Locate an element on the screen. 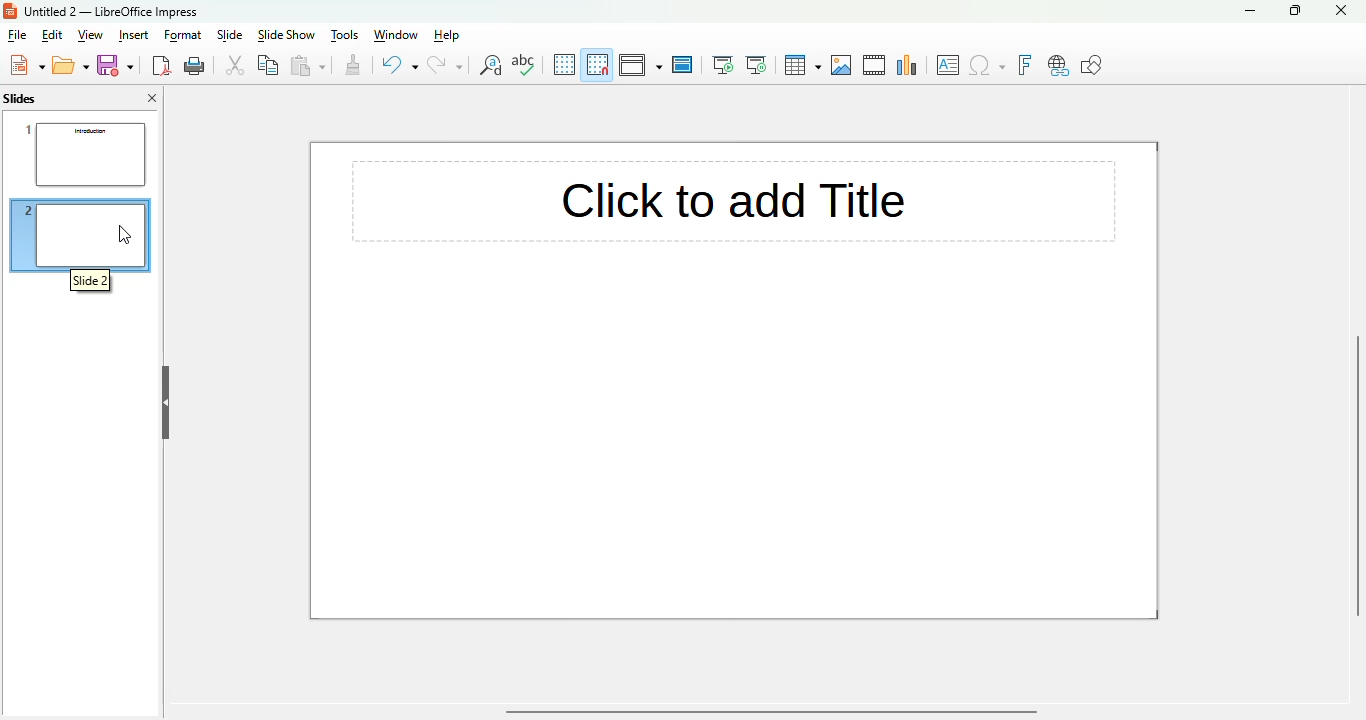 The width and height of the screenshot is (1366, 720). vertical scrollbar is located at coordinates (1362, 478).